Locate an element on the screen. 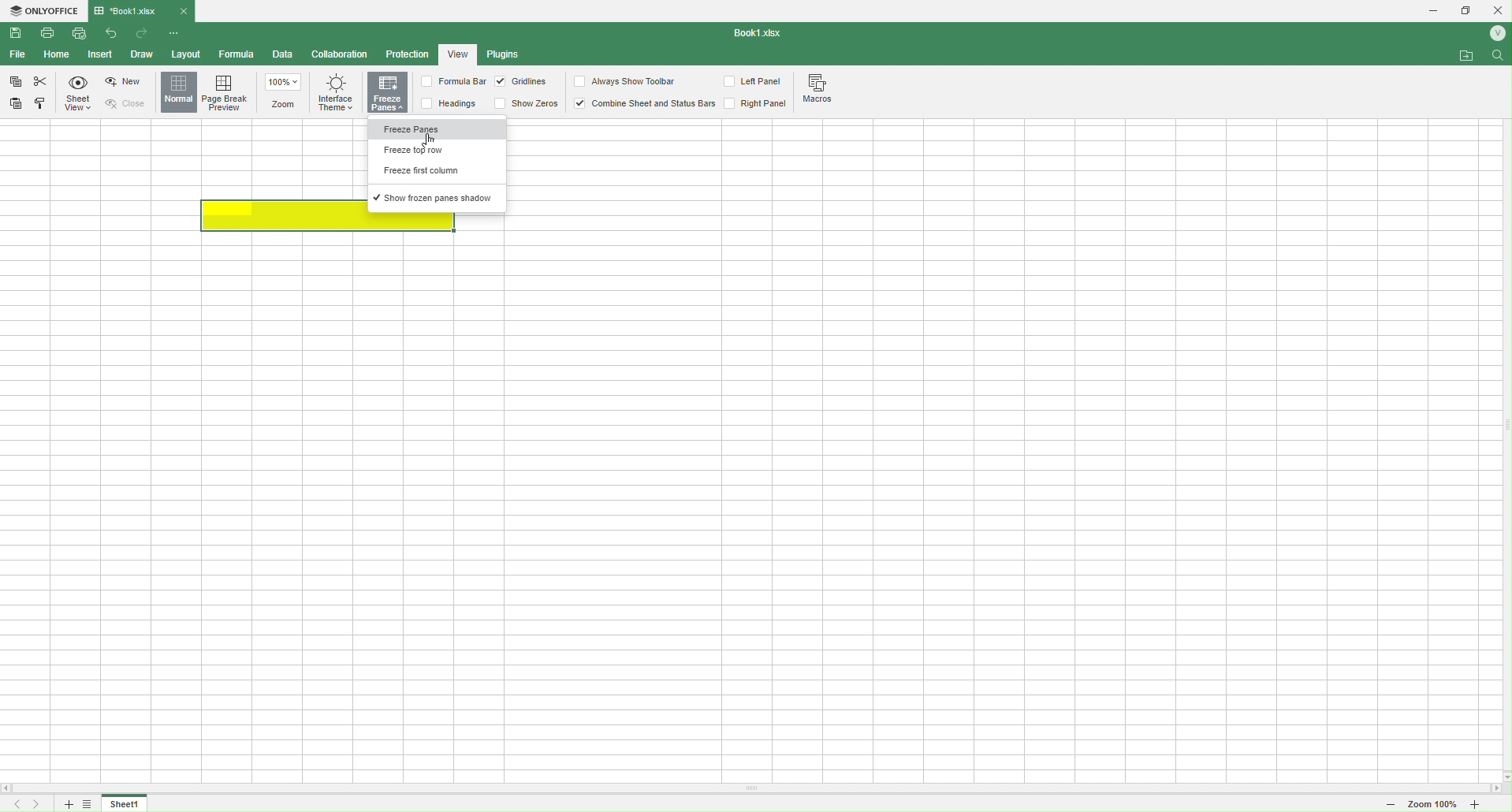 This screenshot has height=812, width=1512. New is located at coordinates (125, 82).